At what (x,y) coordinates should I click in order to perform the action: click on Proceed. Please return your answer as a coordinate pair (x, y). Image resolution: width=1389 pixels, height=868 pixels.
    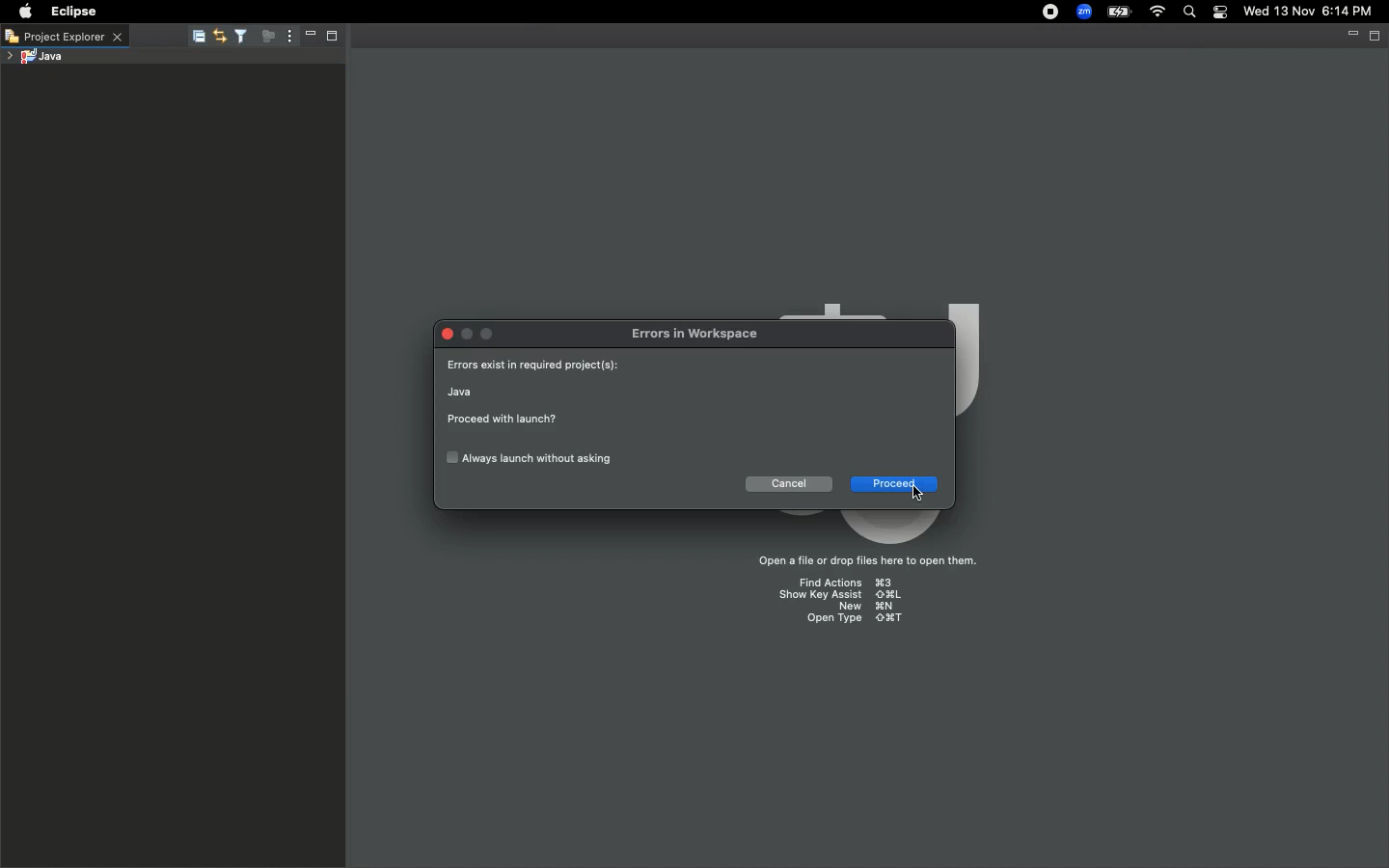
    Looking at the image, I should click on (893, 484).